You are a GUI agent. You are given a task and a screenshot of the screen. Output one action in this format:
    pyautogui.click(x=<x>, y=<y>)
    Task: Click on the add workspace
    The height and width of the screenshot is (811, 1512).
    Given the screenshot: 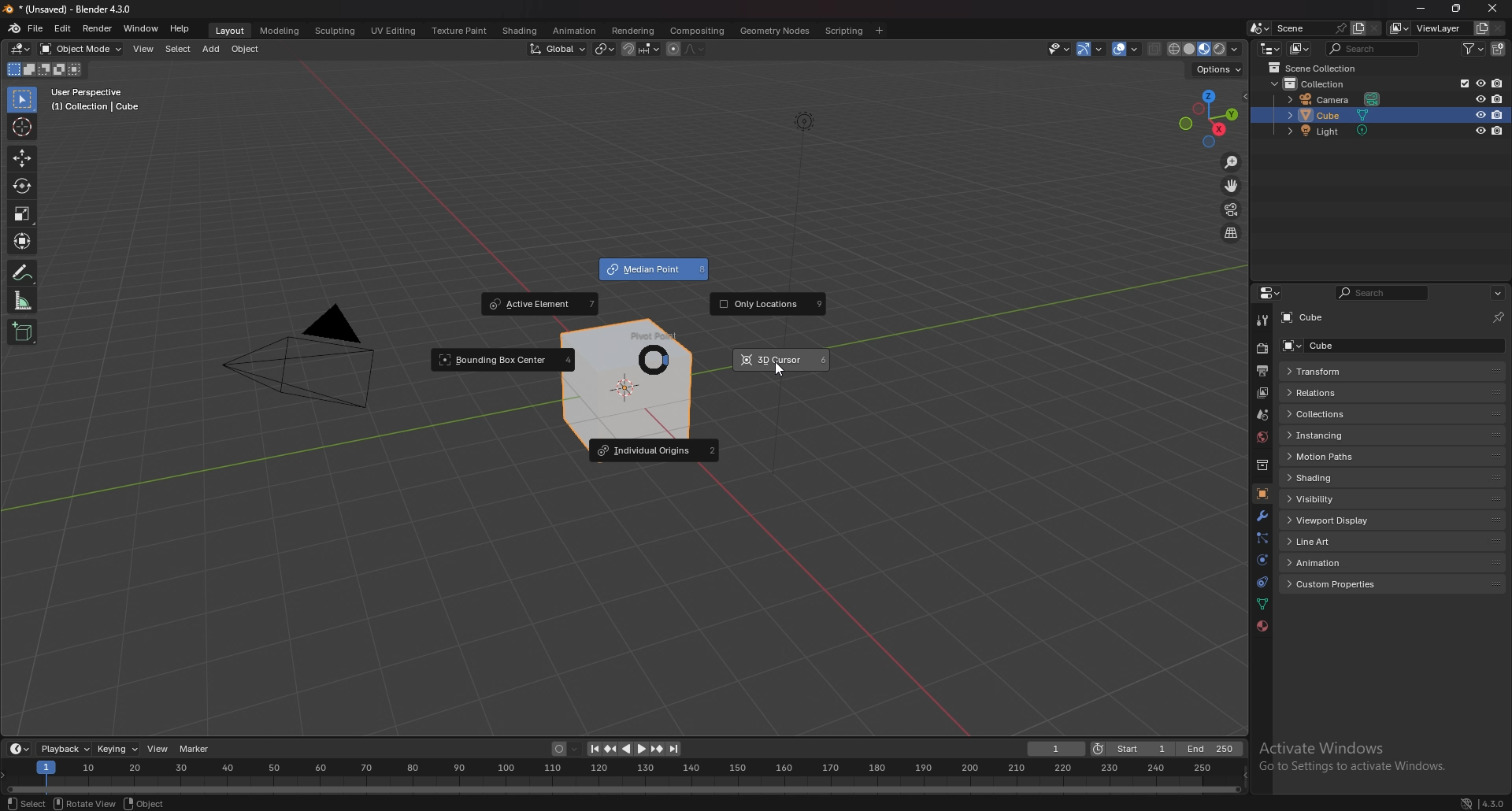 What is the action you would take?
    pyautogui.click(x=879, y=31)
    